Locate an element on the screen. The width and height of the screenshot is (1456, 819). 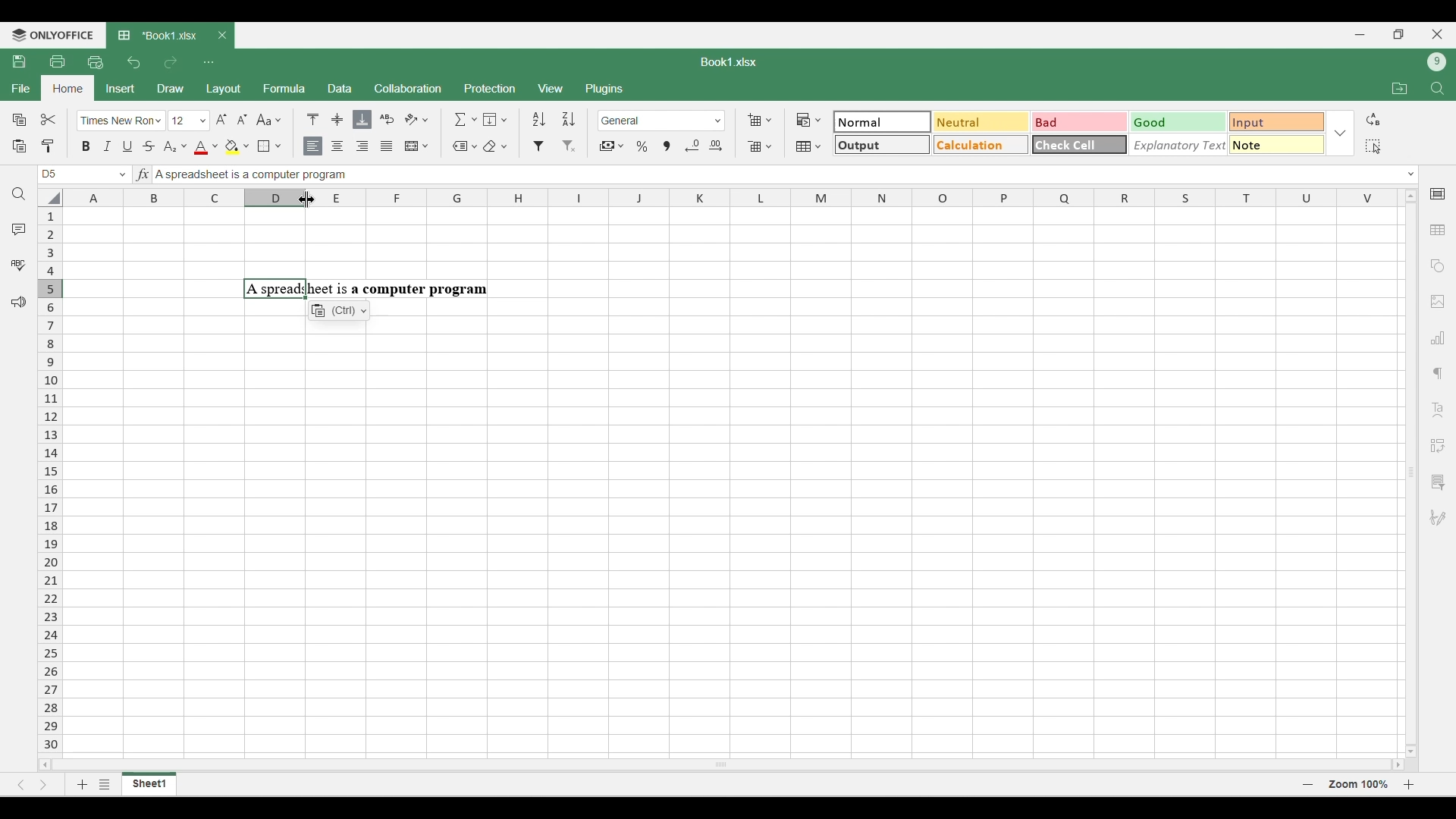
More settings is located at coordinates (1437, 482).